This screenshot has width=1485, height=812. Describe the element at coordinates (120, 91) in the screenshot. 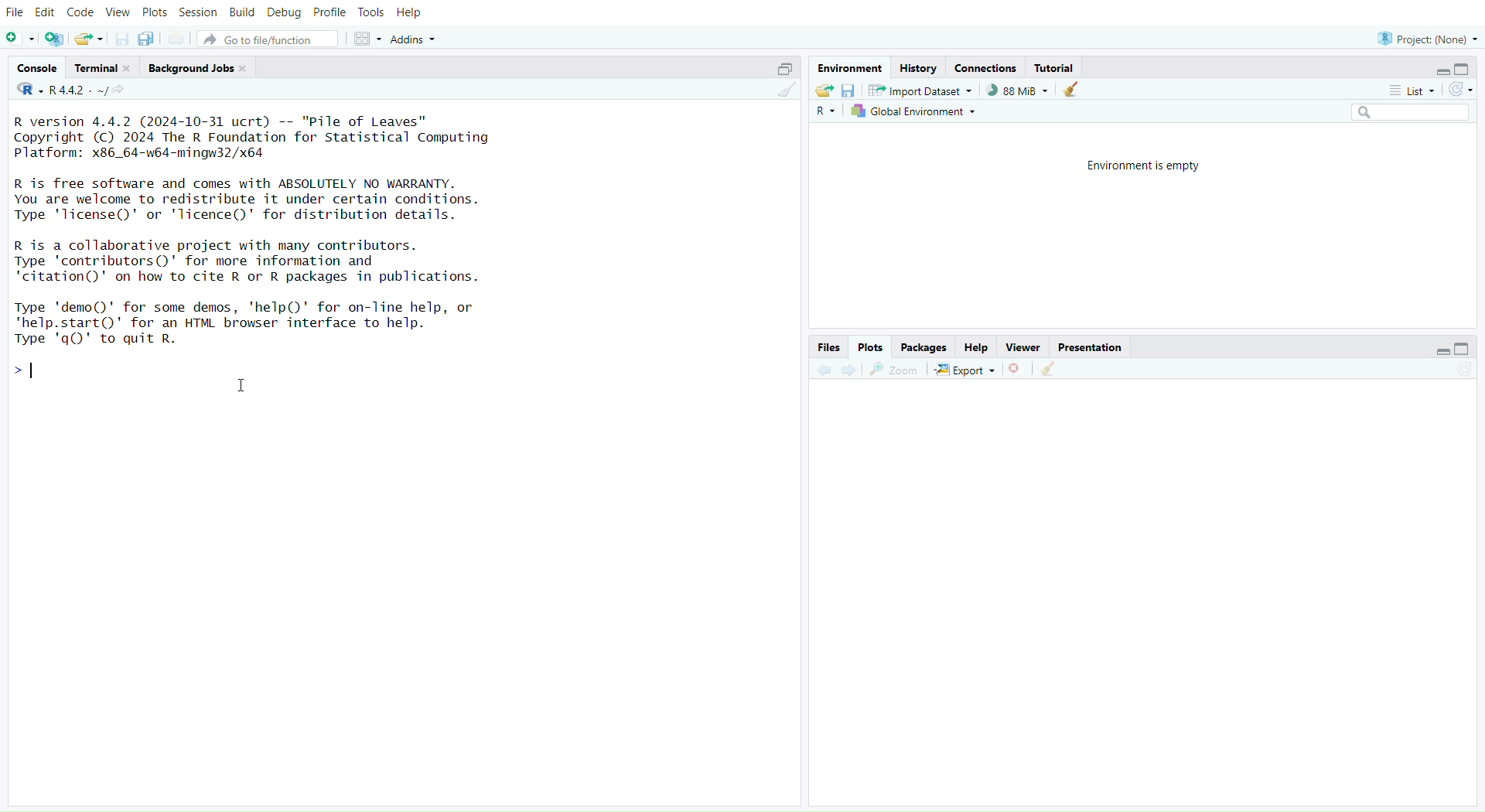

I see `view the current working directory` at that location.